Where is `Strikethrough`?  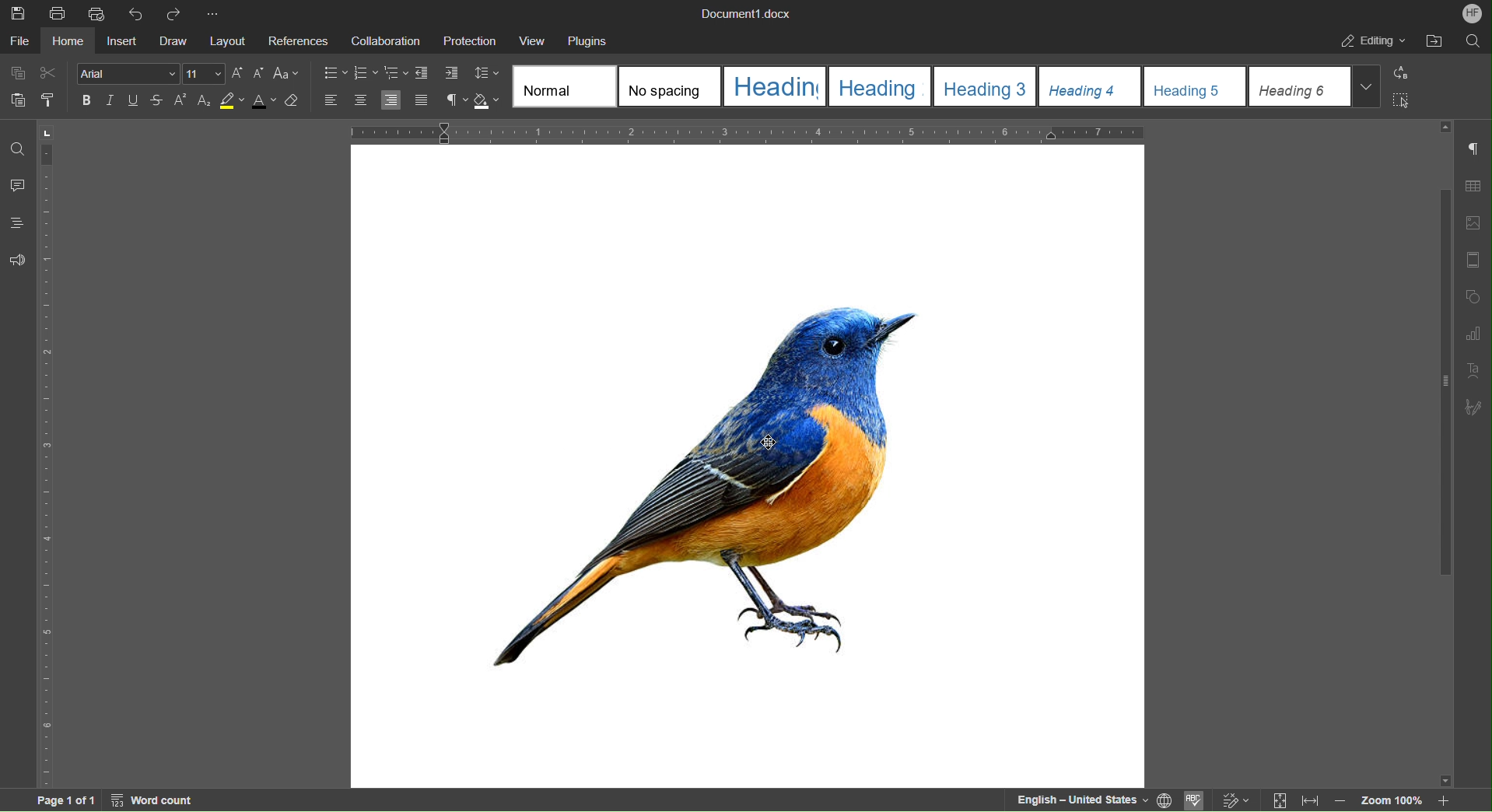 Strikethrough is located at coordinates (155, 101).